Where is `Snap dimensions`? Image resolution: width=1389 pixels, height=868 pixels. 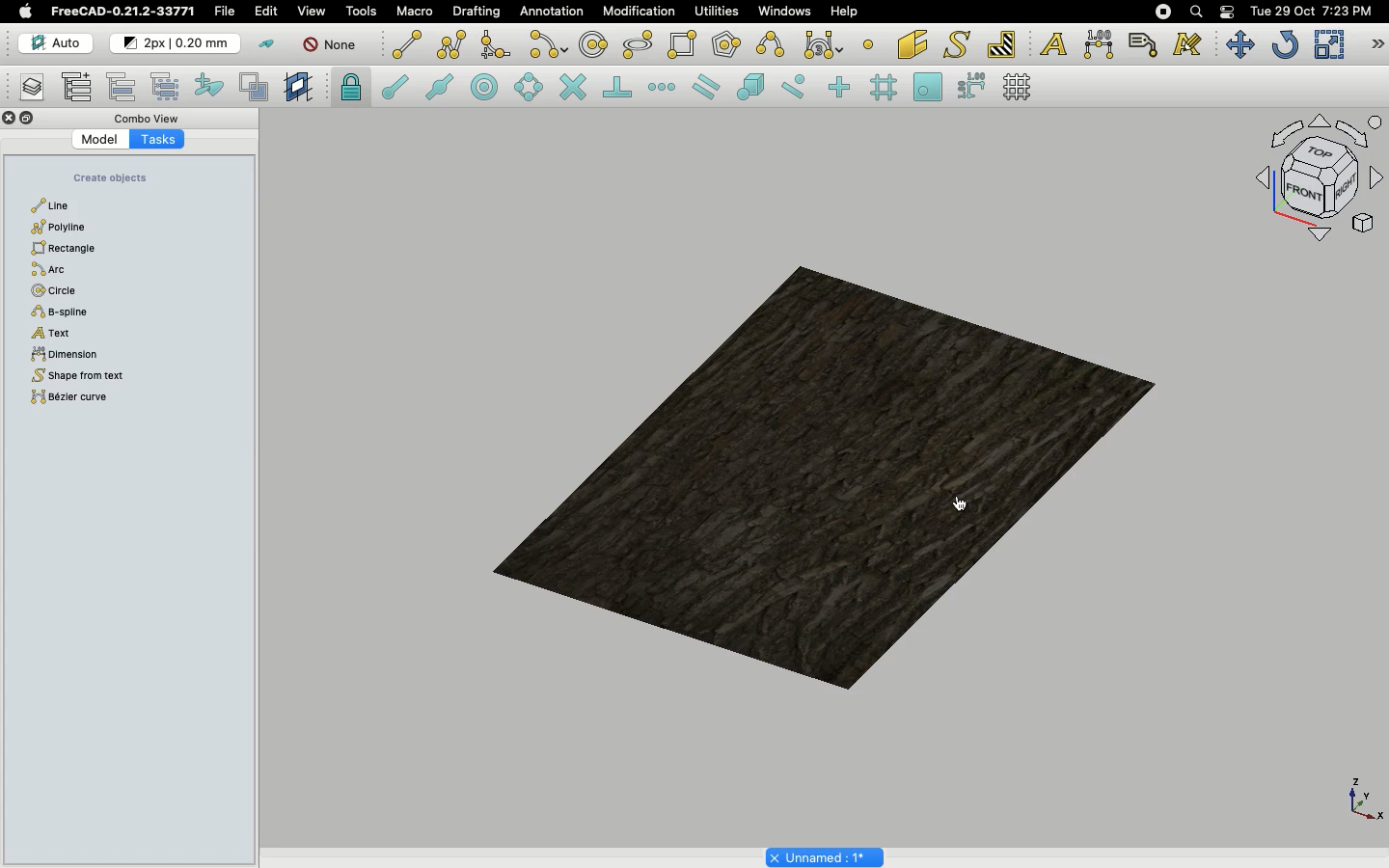
Snap dimensions is located at coordinates (968, 86).